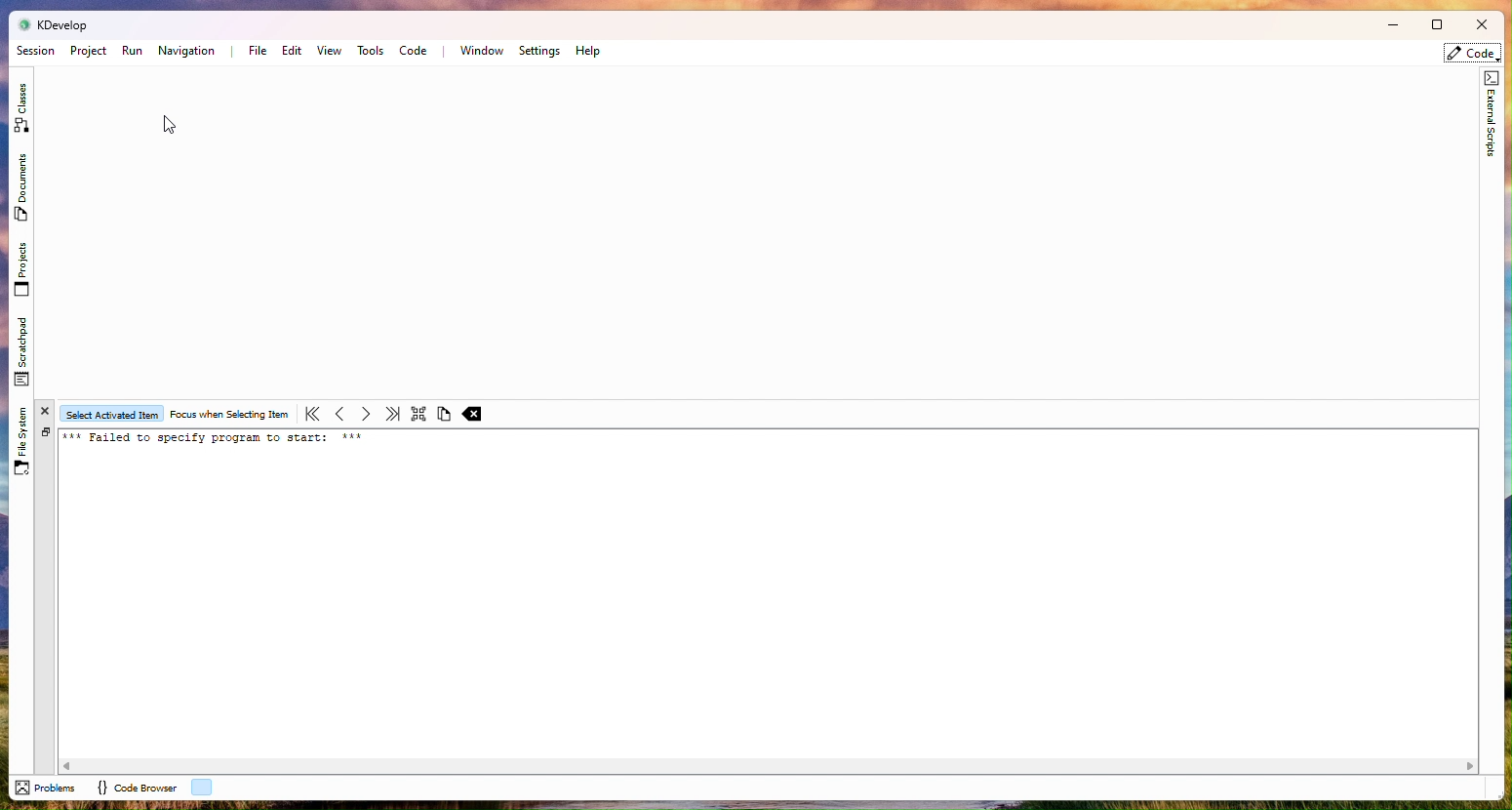  Describe the element at coordinates (112, 414) in the screenshot. I see `Select activated item` at that location.